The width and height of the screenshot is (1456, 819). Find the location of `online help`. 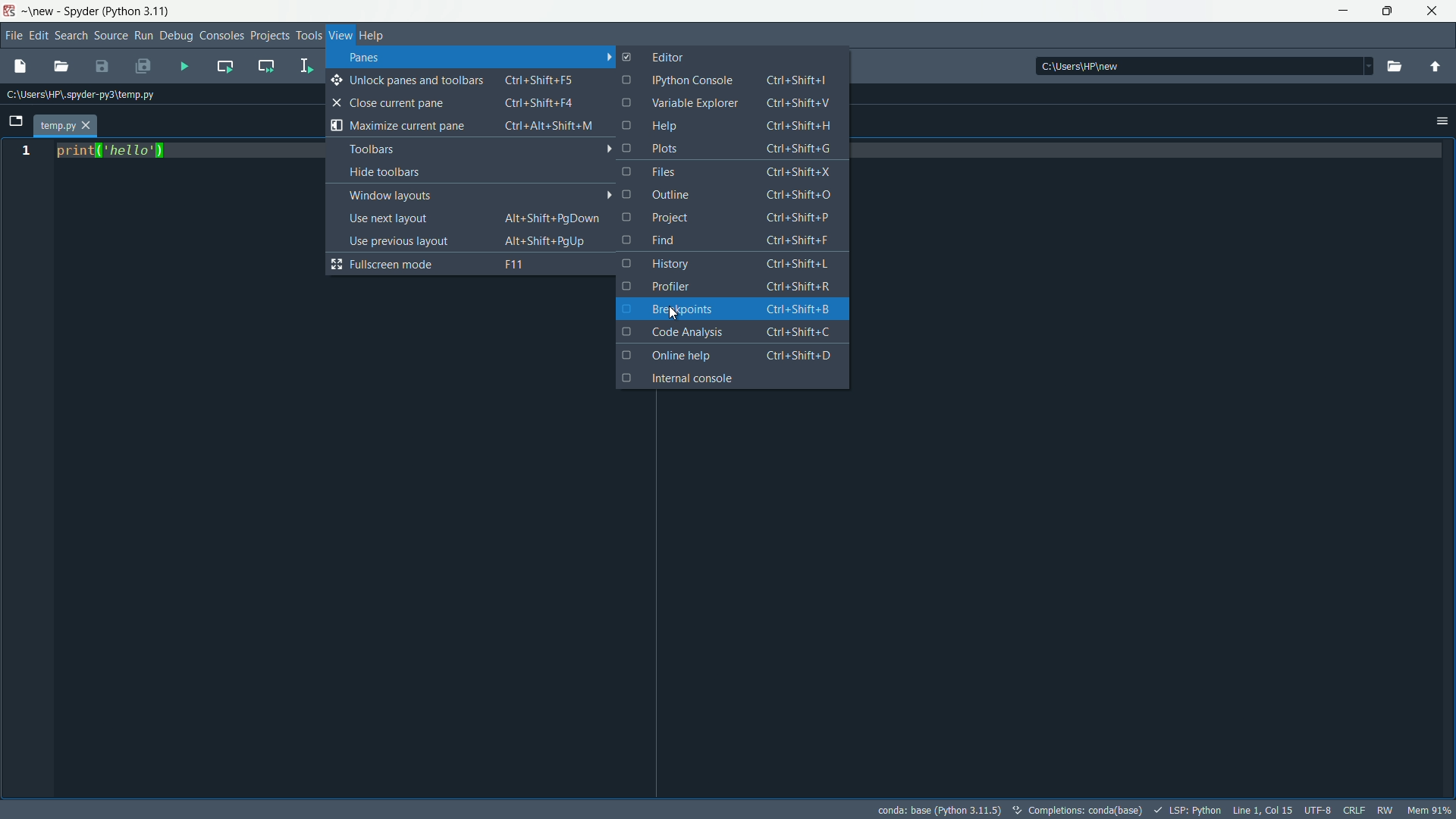

online help is located at coordinates (731, 355).